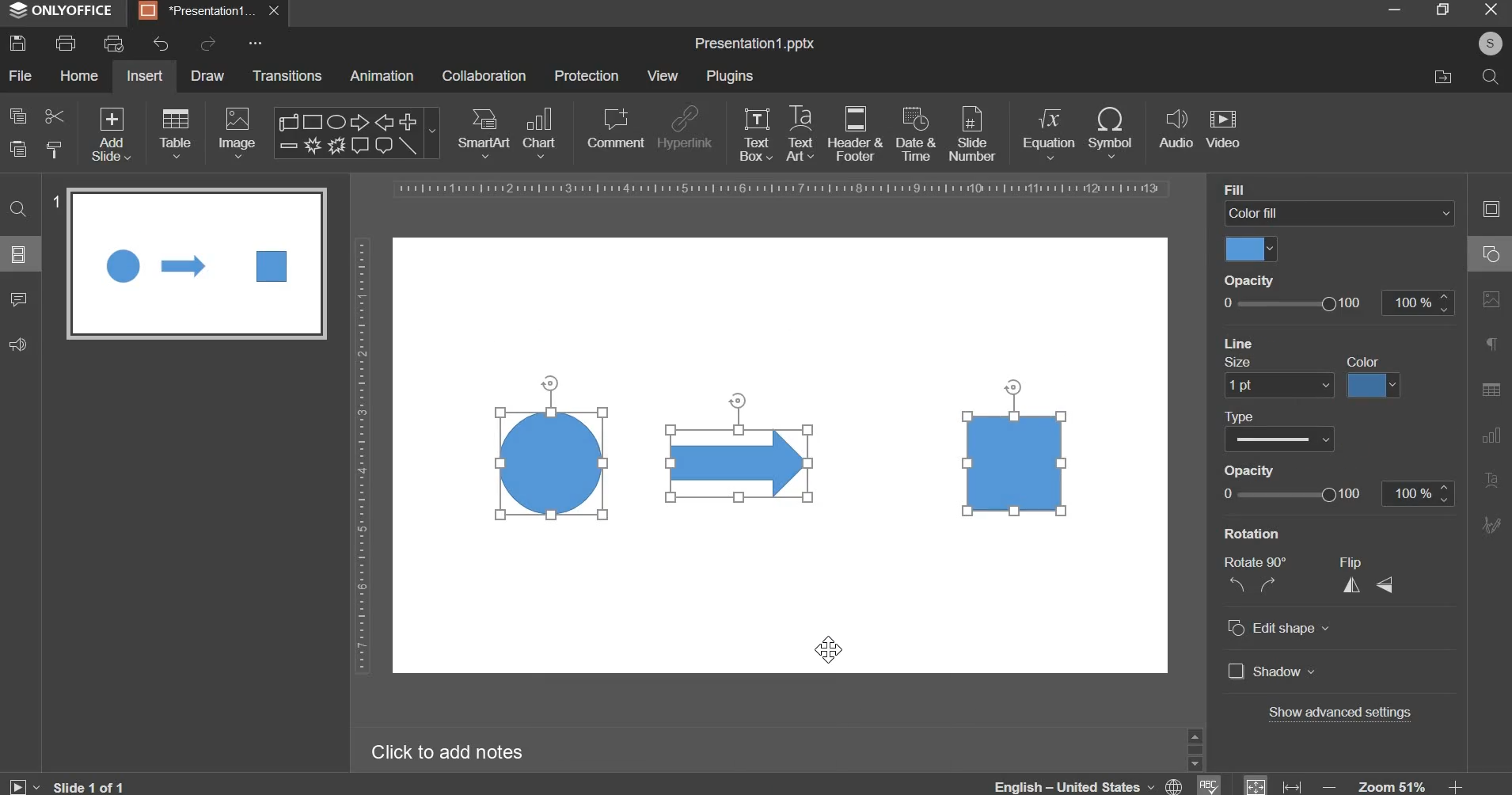  Describe the element at coordinates (1387, 584) in the screenshot. I see `flip vertical` at that location.